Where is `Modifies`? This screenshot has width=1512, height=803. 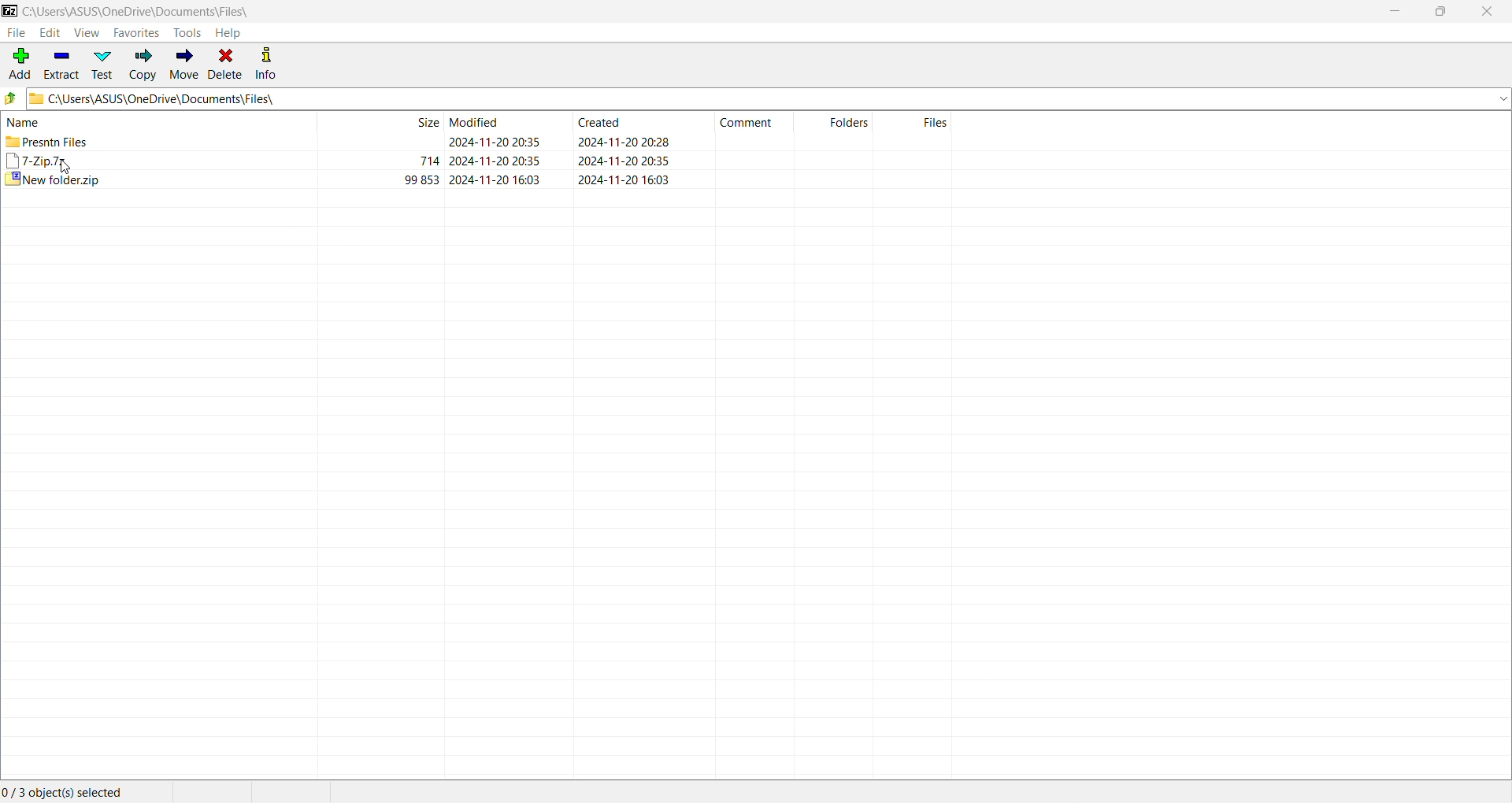 Modifies is located at coordinates (506, 151).